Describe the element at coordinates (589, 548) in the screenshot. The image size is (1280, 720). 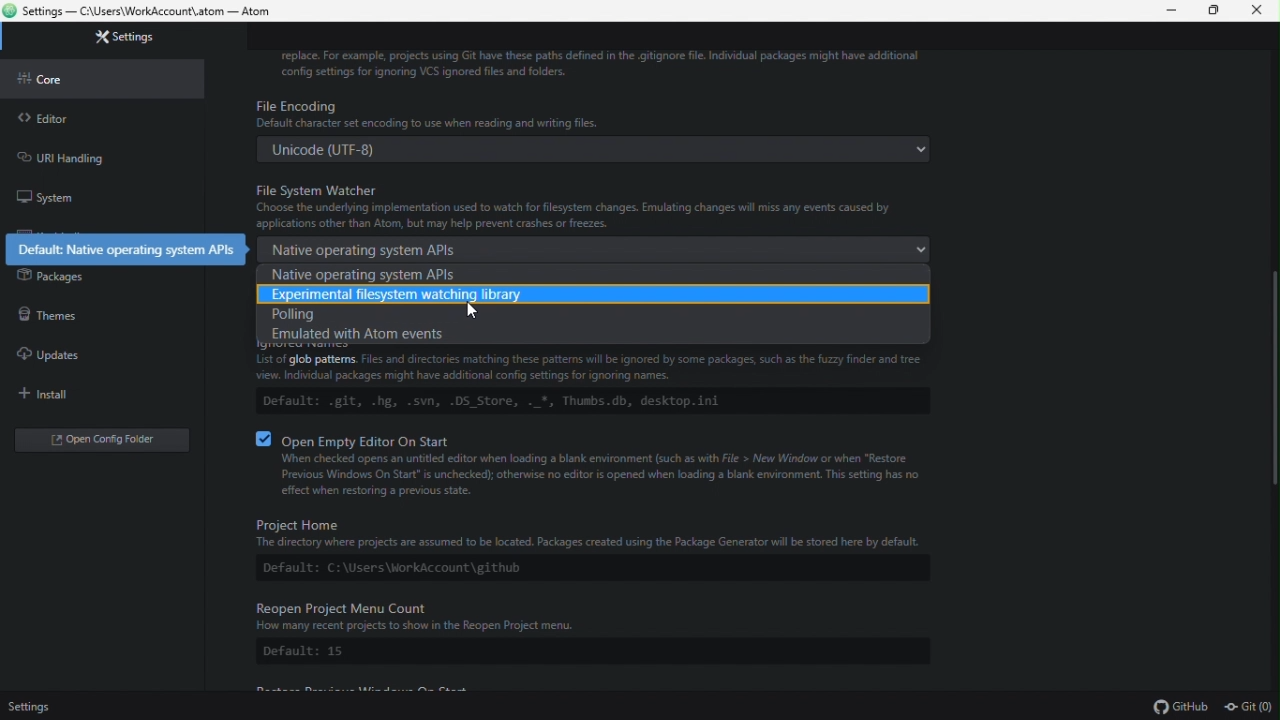
I see `project home` at that location.